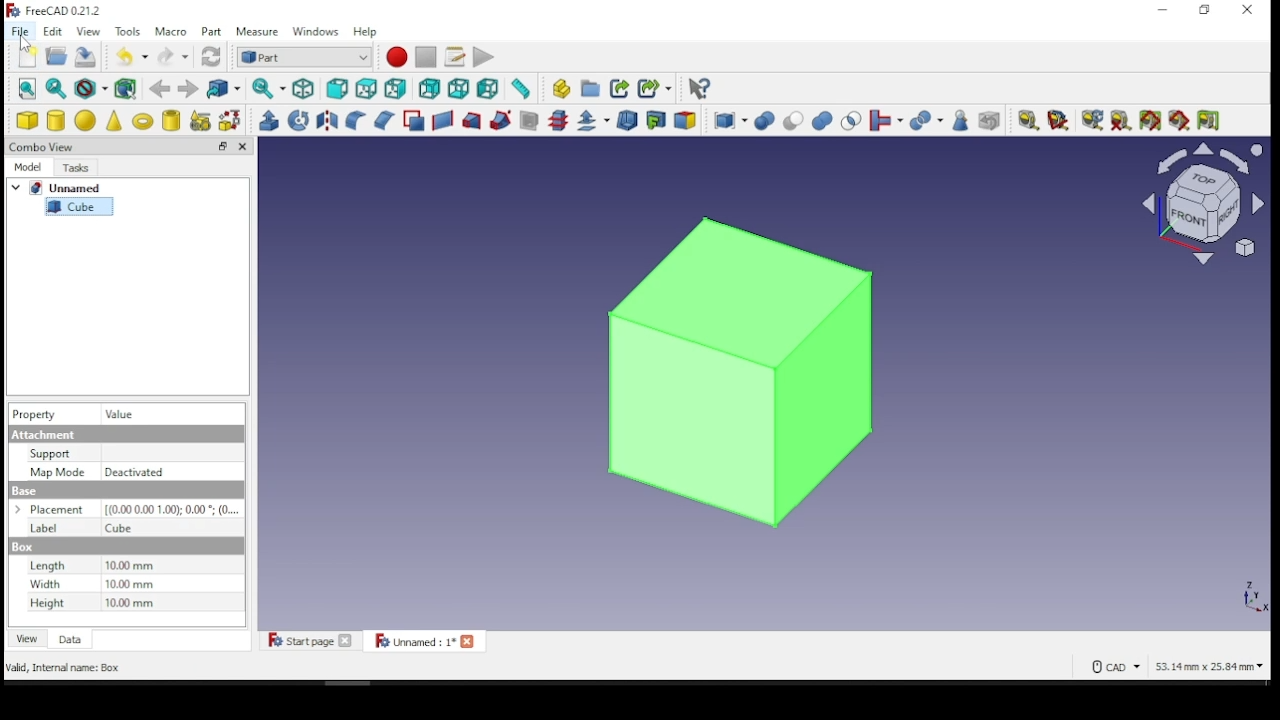 The width and height of the screenshot is (1280, 720). Describe the element at coordinates (242, 146) in the screenshot. I see `close pane` at that location.